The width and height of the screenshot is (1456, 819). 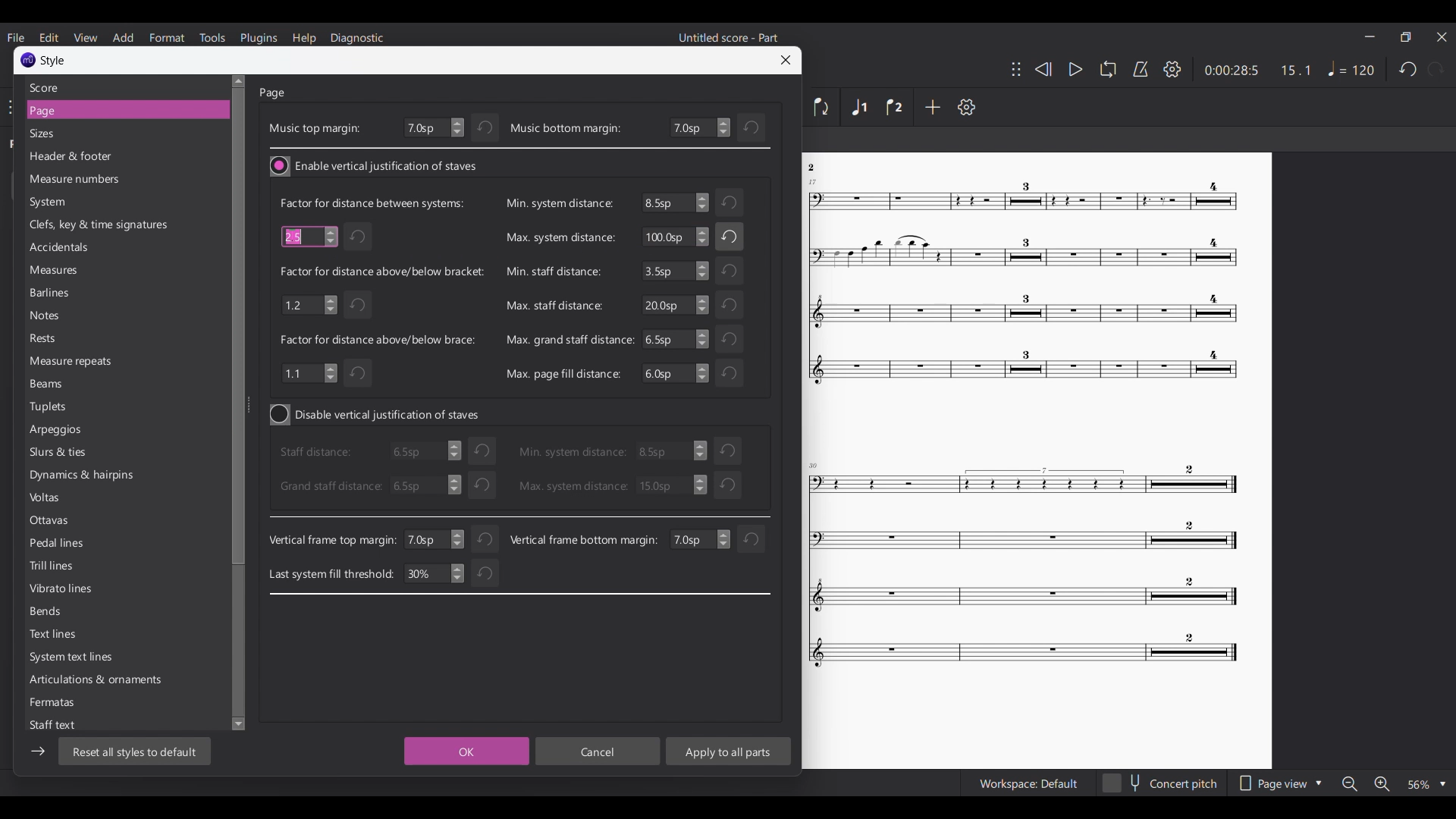 I want to click on Untitled score - Part, so click(x=730, y=37).